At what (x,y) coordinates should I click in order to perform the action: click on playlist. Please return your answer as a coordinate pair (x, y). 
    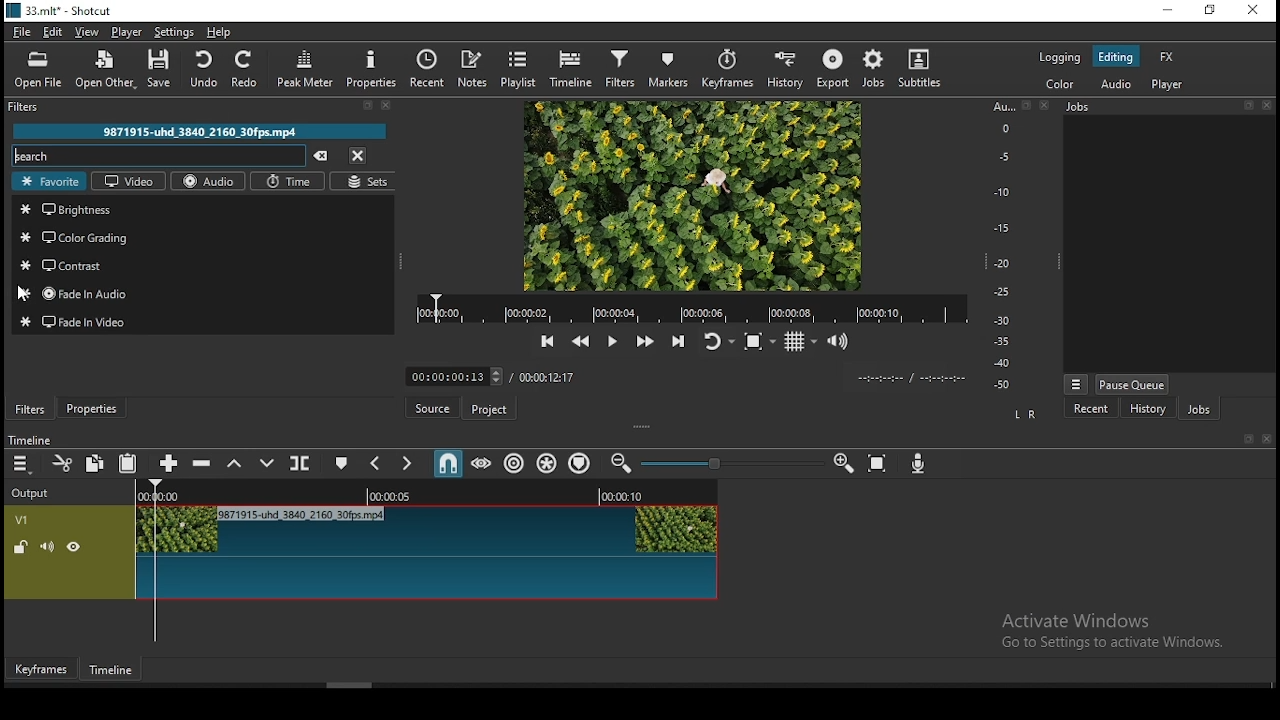
    Looking at the image, I should click on (521, 68).